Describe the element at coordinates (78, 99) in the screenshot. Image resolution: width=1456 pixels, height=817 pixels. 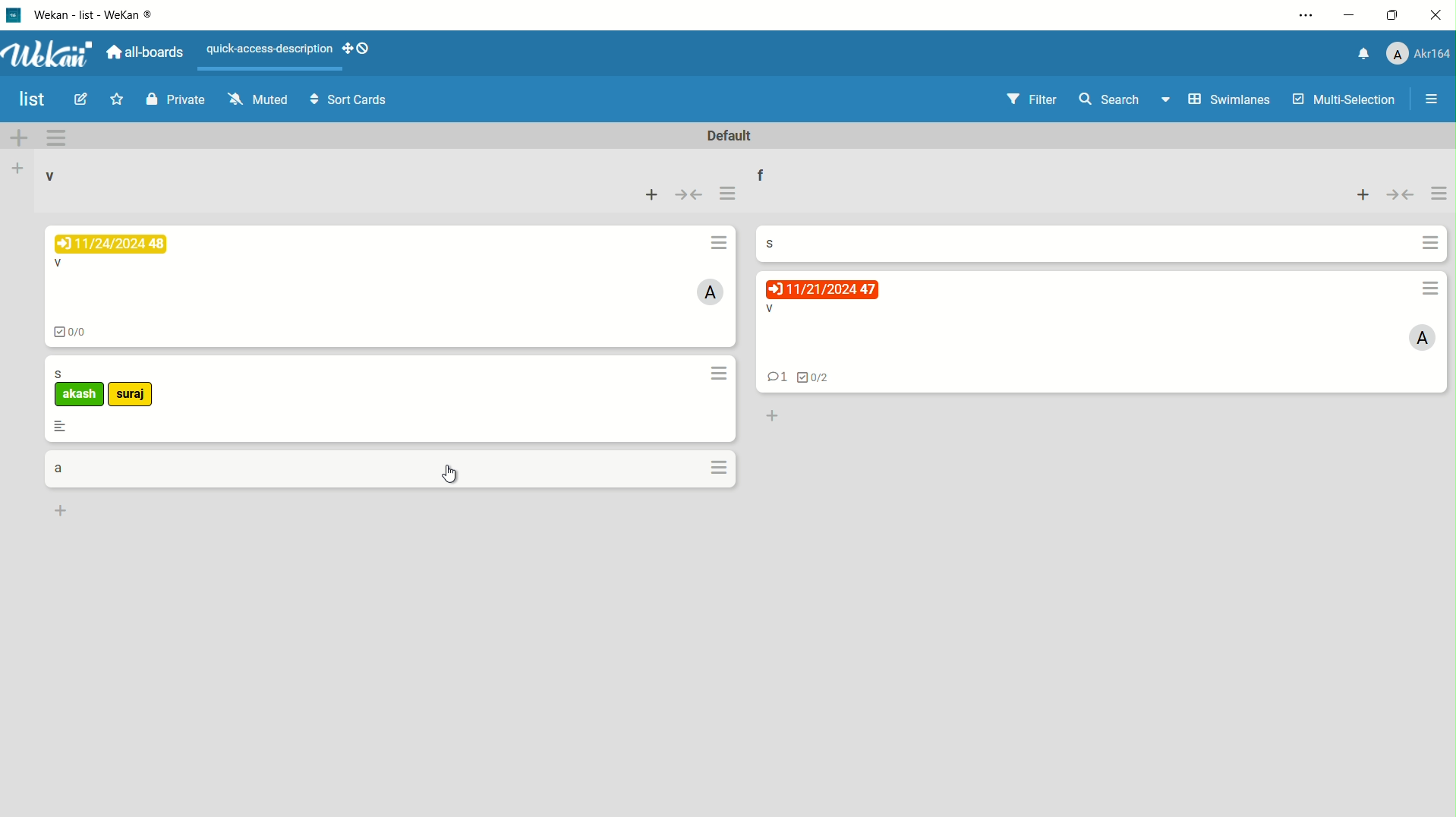
I see `edit` at that location.